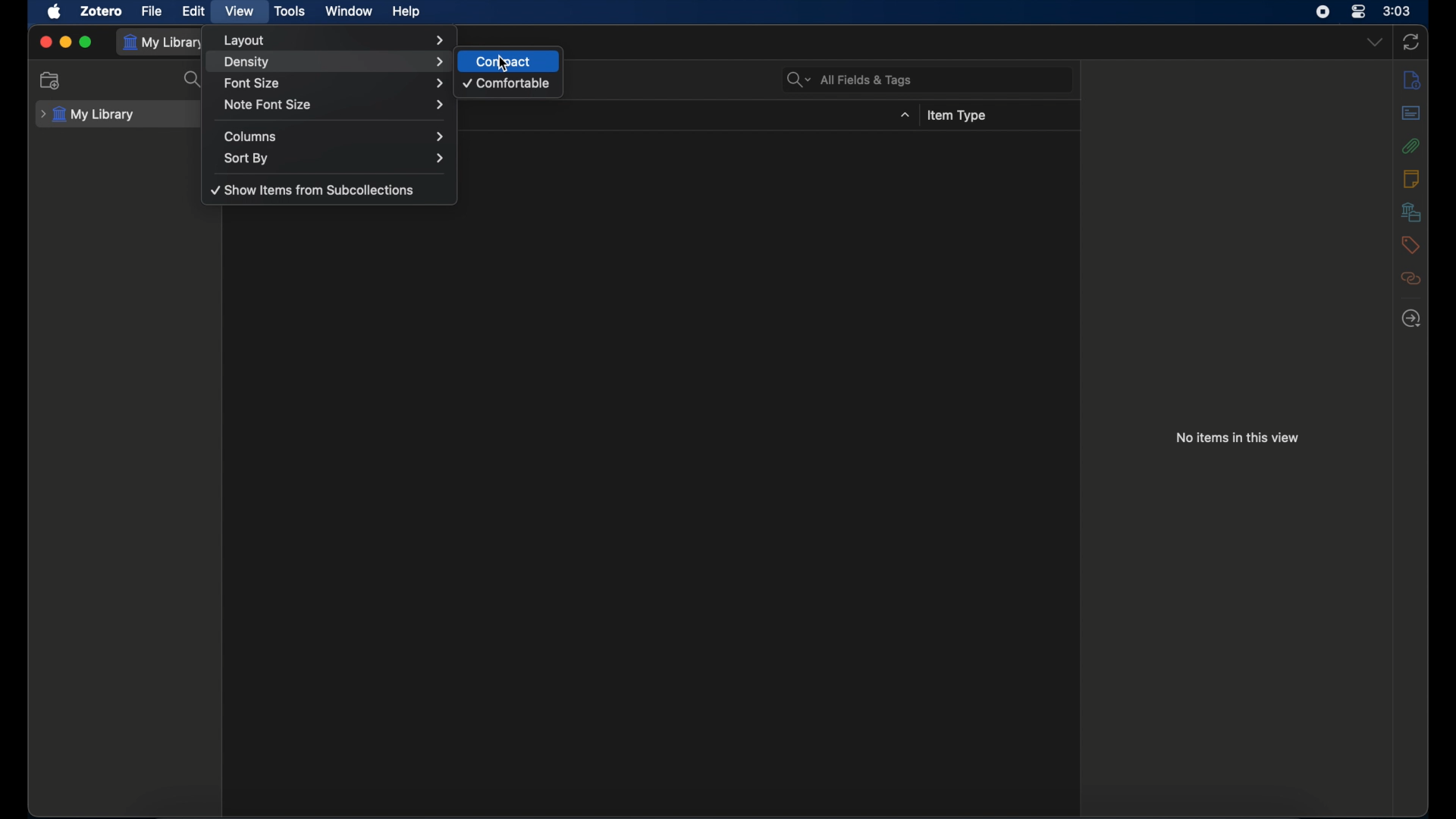 The height and width of the screenshot is (819, 1456). I want to click on info, so click(1412, 81).